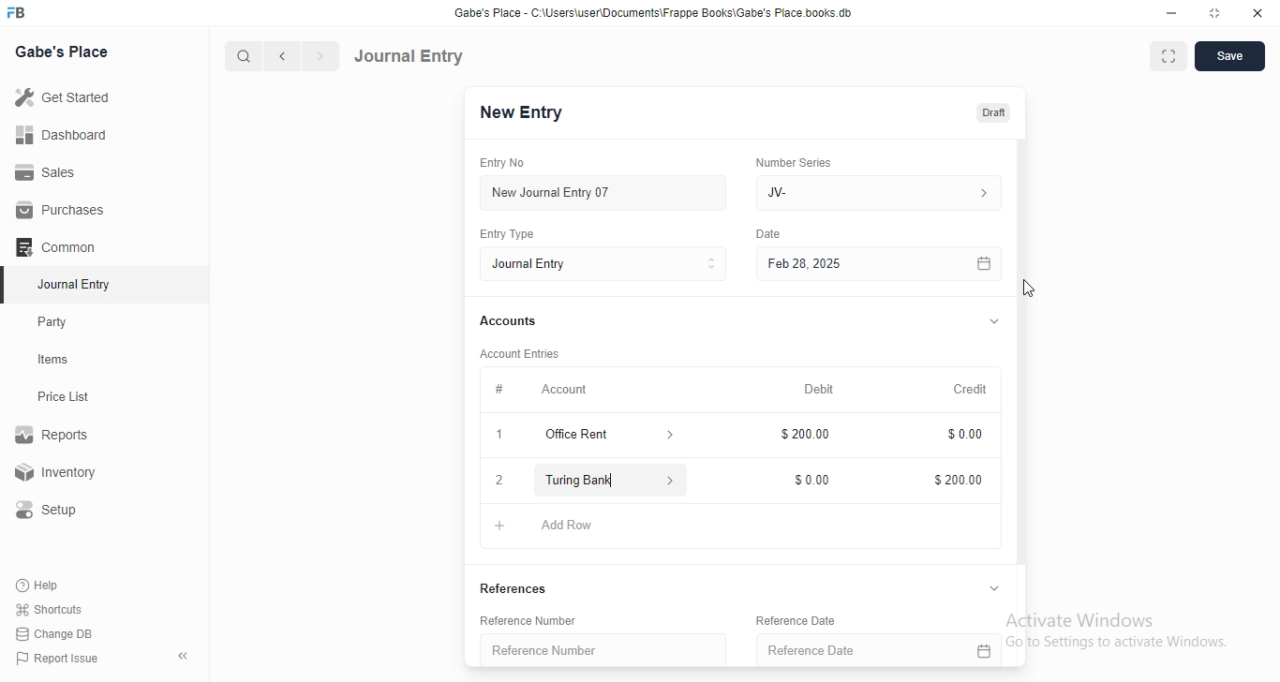 The height and width of the screenshot is (682, 1280). I want to click on 2, so click(499, 482).